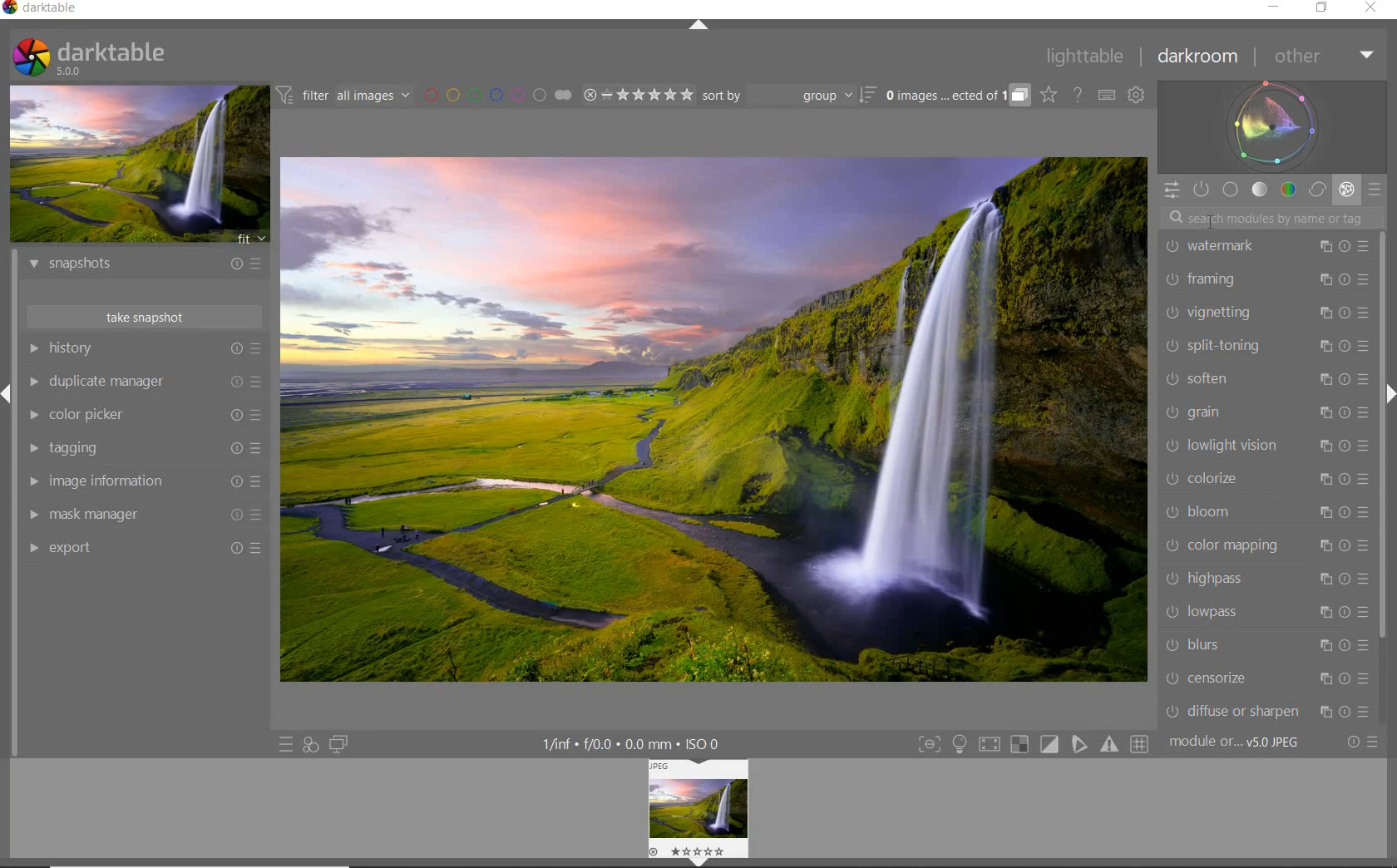  What do you see at coordinates (144, 381) in the screenshot?
I see `duplicate manager` at bounding box center [144, 381].